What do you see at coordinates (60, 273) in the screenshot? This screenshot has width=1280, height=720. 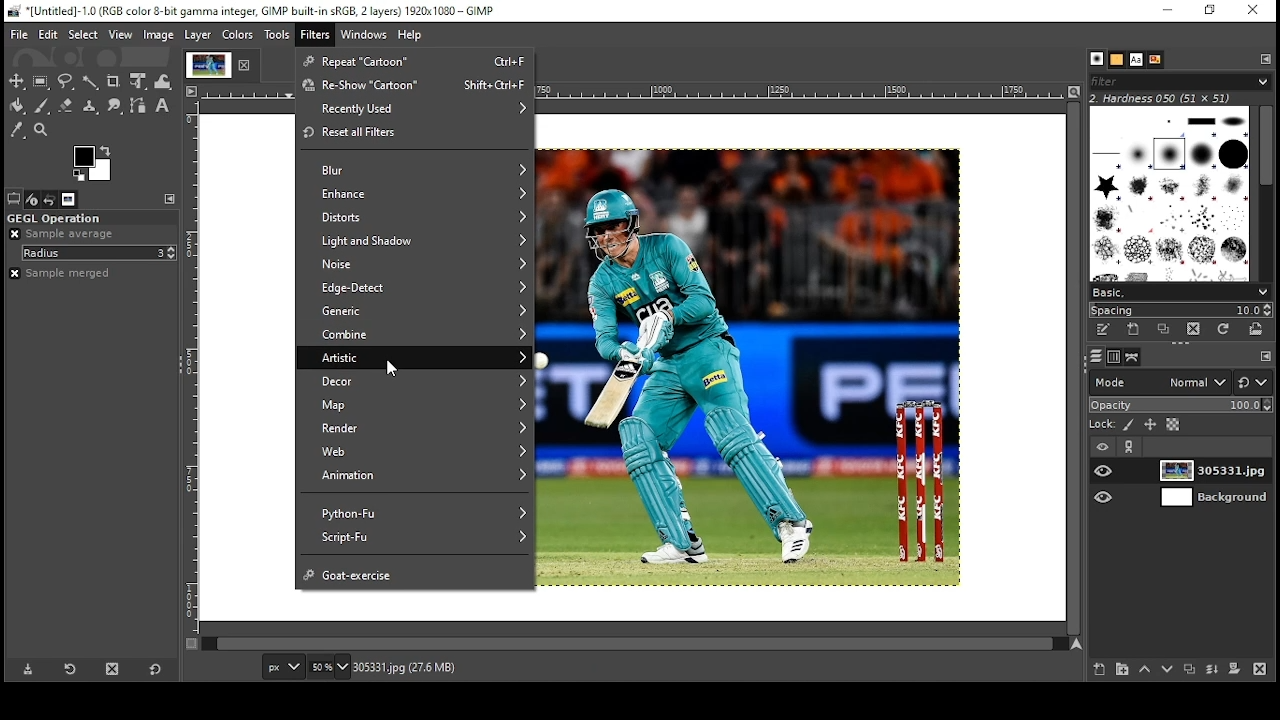 I see `sample merged` at bounding box center [60, 273].